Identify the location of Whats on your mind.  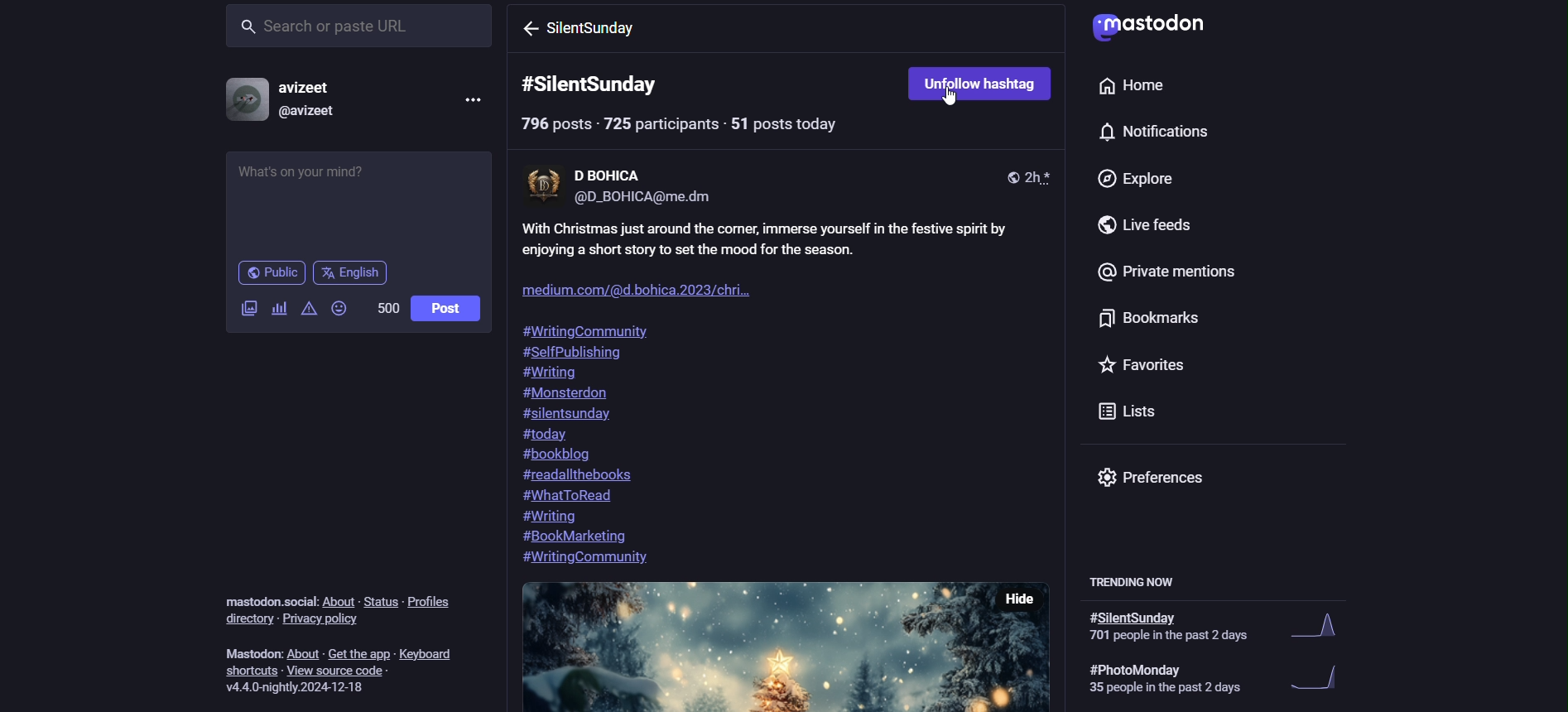
(359, 204).